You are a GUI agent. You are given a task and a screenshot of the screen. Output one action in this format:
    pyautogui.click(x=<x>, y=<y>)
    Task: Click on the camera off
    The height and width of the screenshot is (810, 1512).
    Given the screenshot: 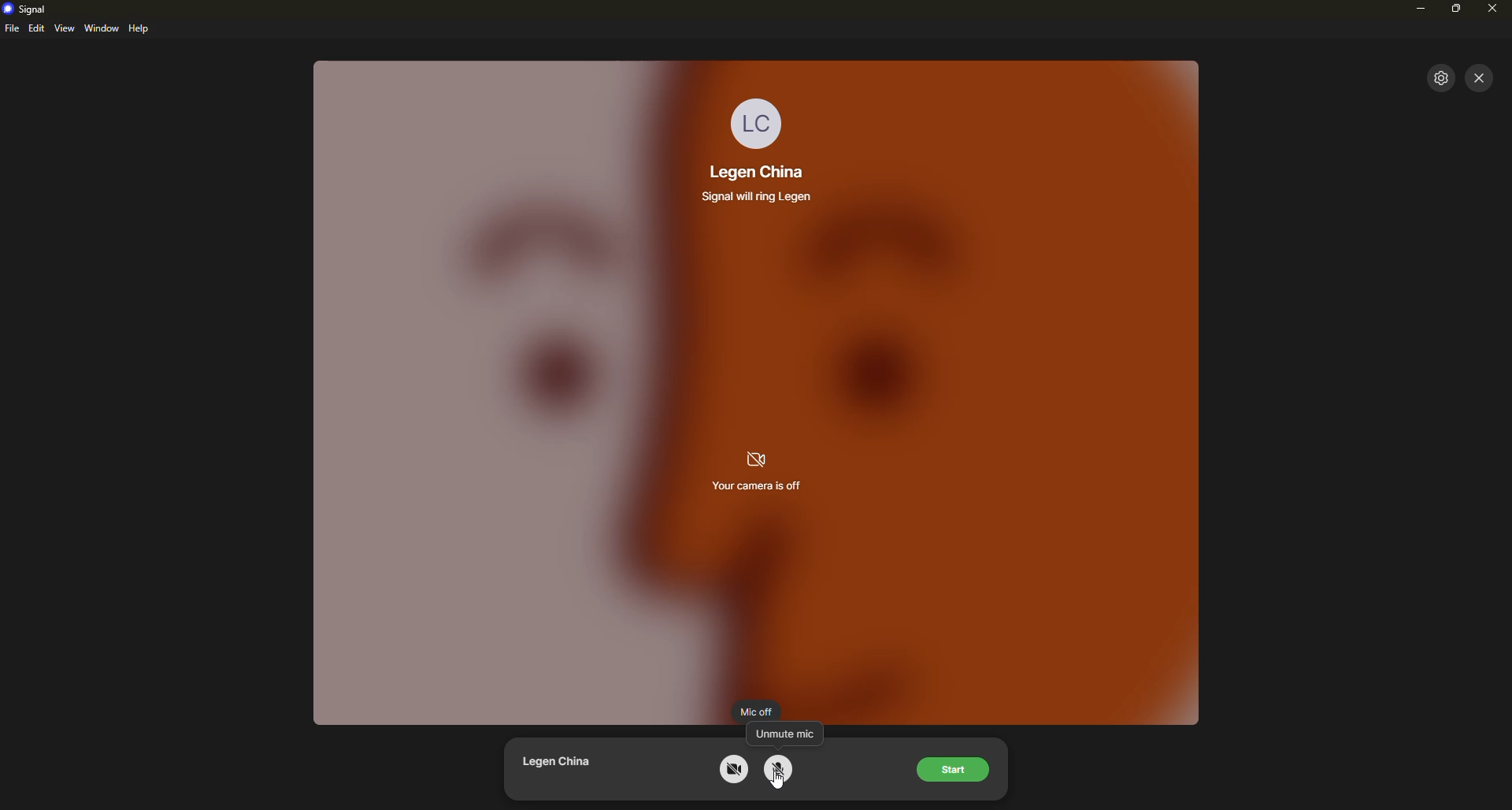 What is the action you would take?
    pyautogui.click(x=735, y=769)
    